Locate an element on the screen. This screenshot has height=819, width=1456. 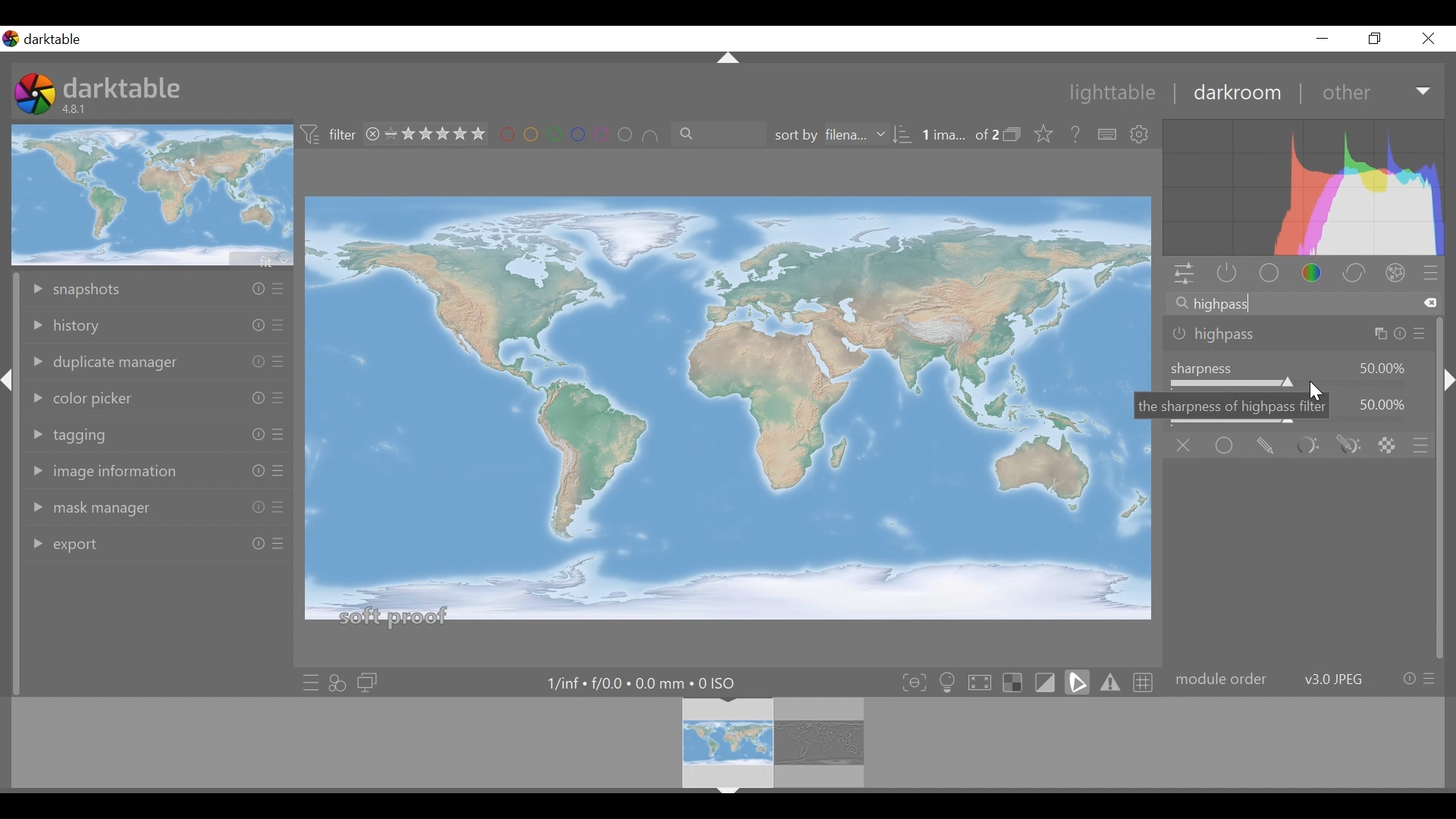
toggle softproofing is located at coordinates (1079, 682).